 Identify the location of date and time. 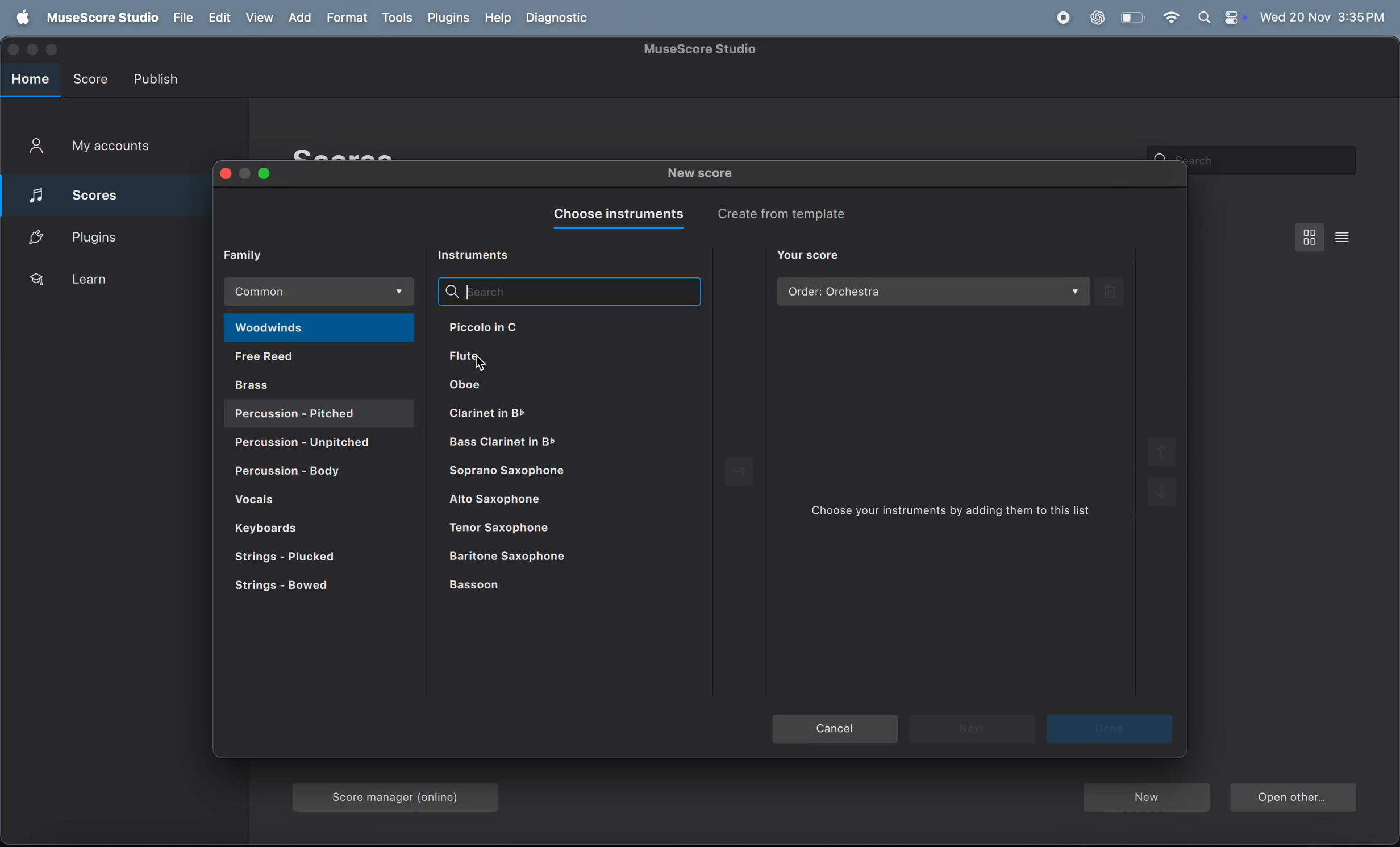
(1323, 15).